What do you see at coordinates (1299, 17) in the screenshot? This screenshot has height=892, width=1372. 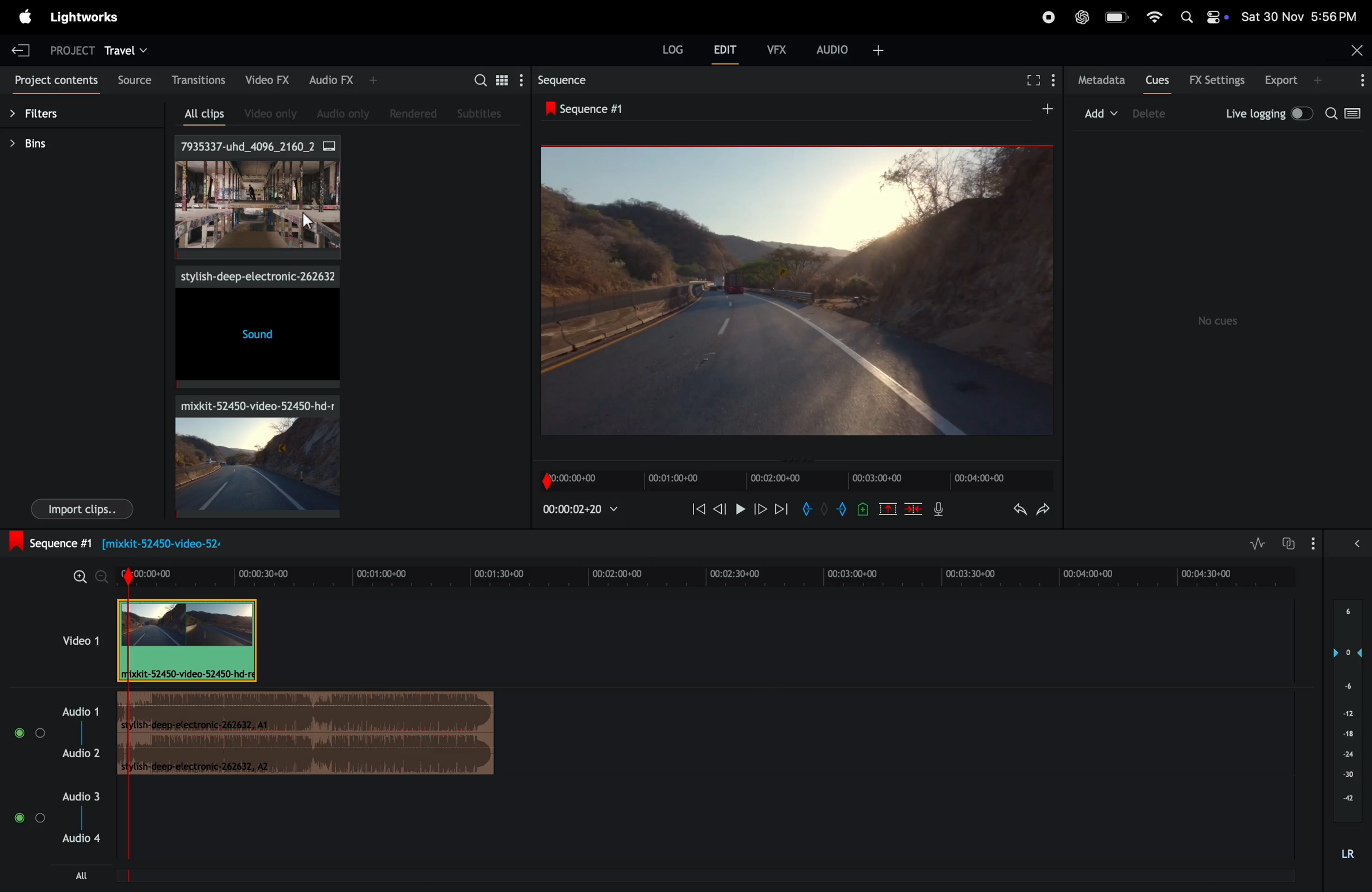 I see `date and time` at bounding box center [1299, 17].